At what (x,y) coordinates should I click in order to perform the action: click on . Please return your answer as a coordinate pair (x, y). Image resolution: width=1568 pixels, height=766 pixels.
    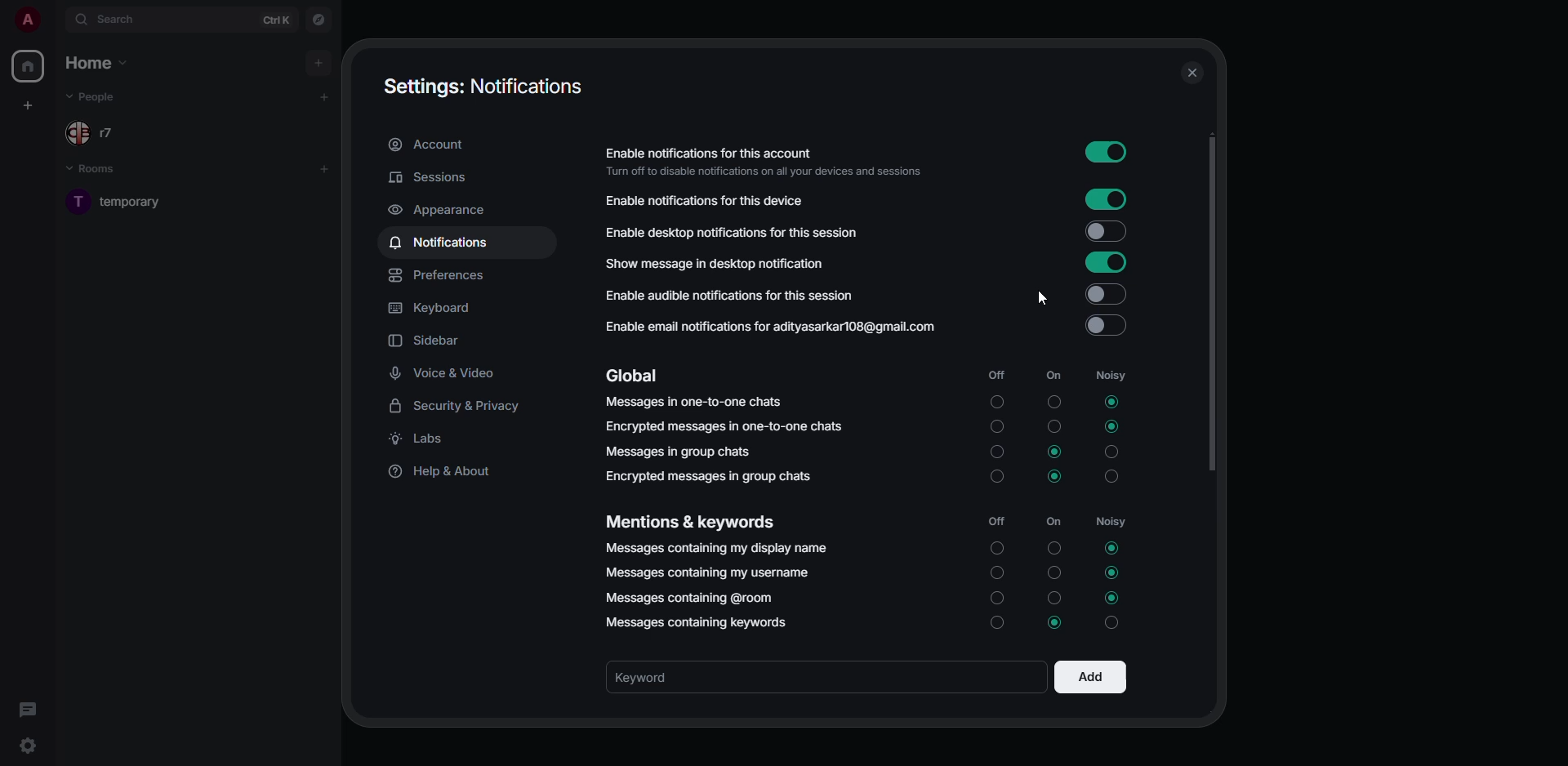
    Looking at the image, I should click on (1055, 622).